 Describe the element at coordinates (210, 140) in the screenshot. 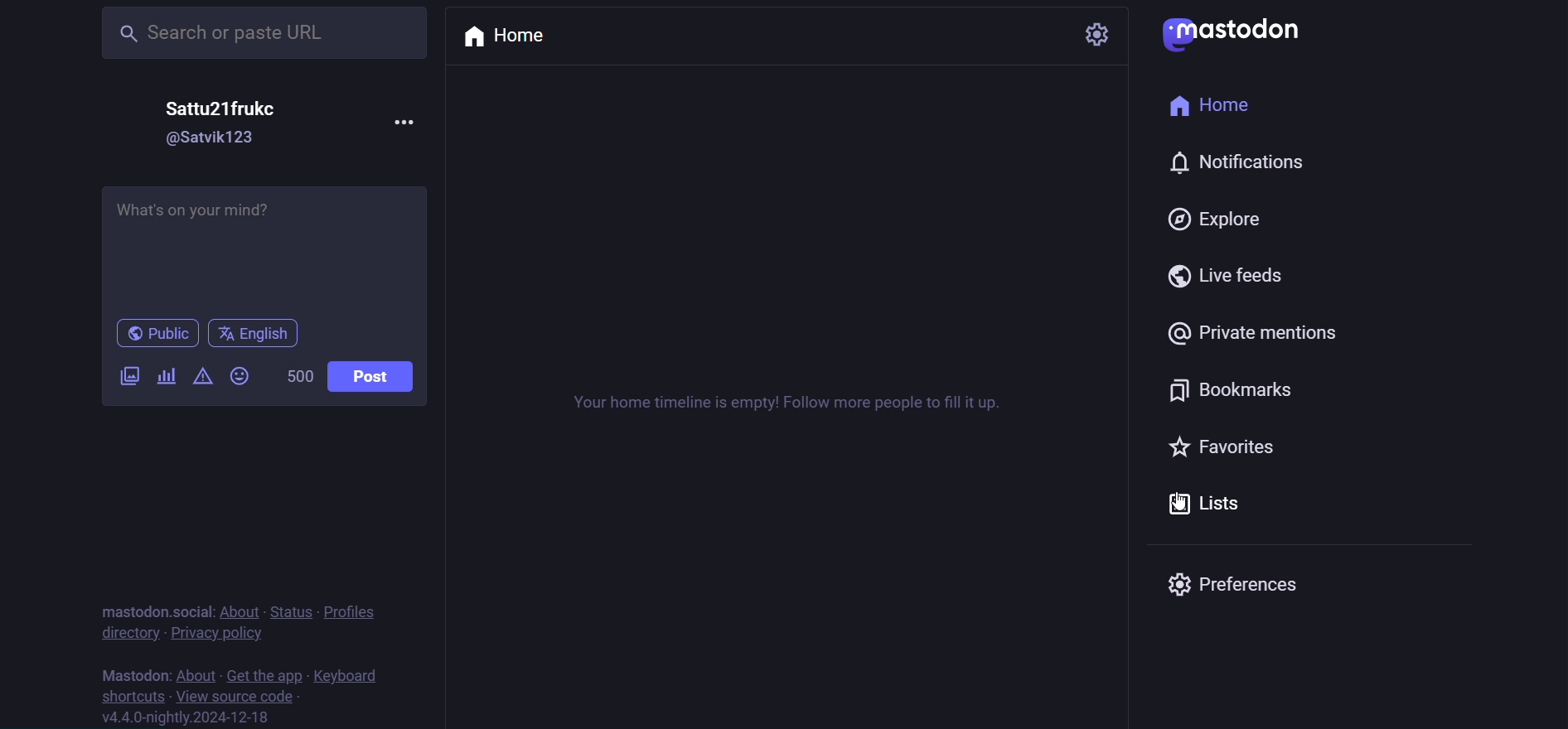

I see `@satvik123` at that location.